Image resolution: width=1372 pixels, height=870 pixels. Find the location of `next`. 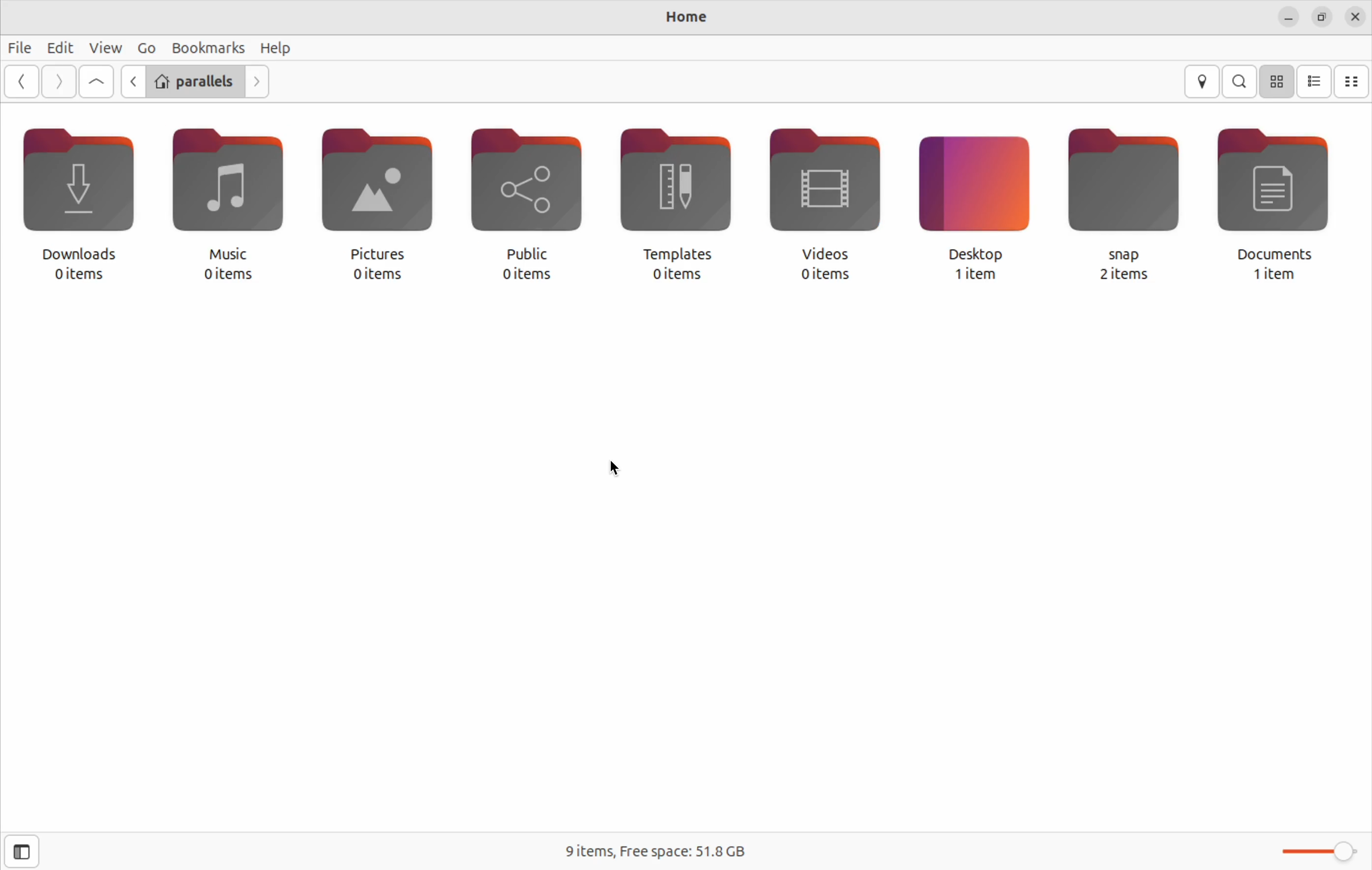

next is located at coordinates (58, 81).